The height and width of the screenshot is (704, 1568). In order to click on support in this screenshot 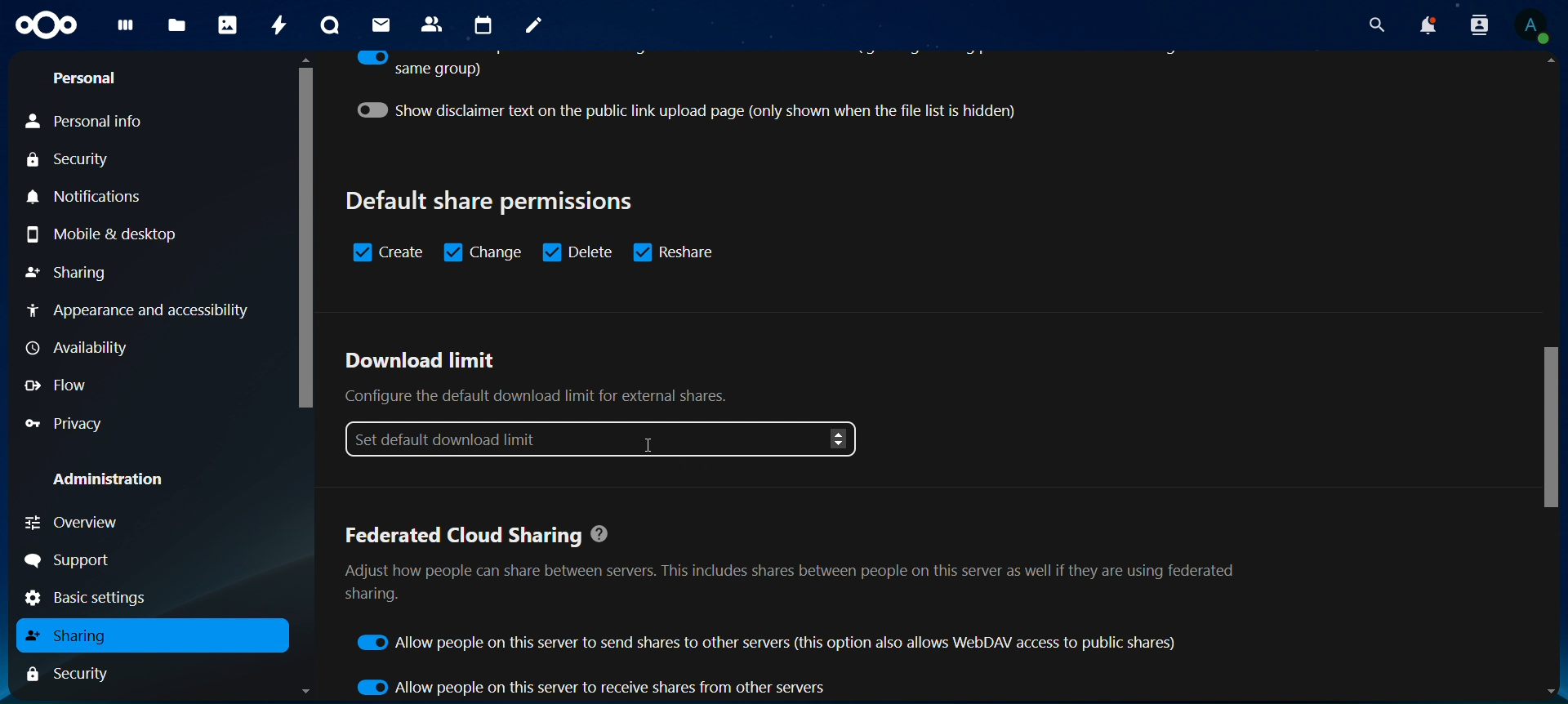, I will do `click(74, 561)`.